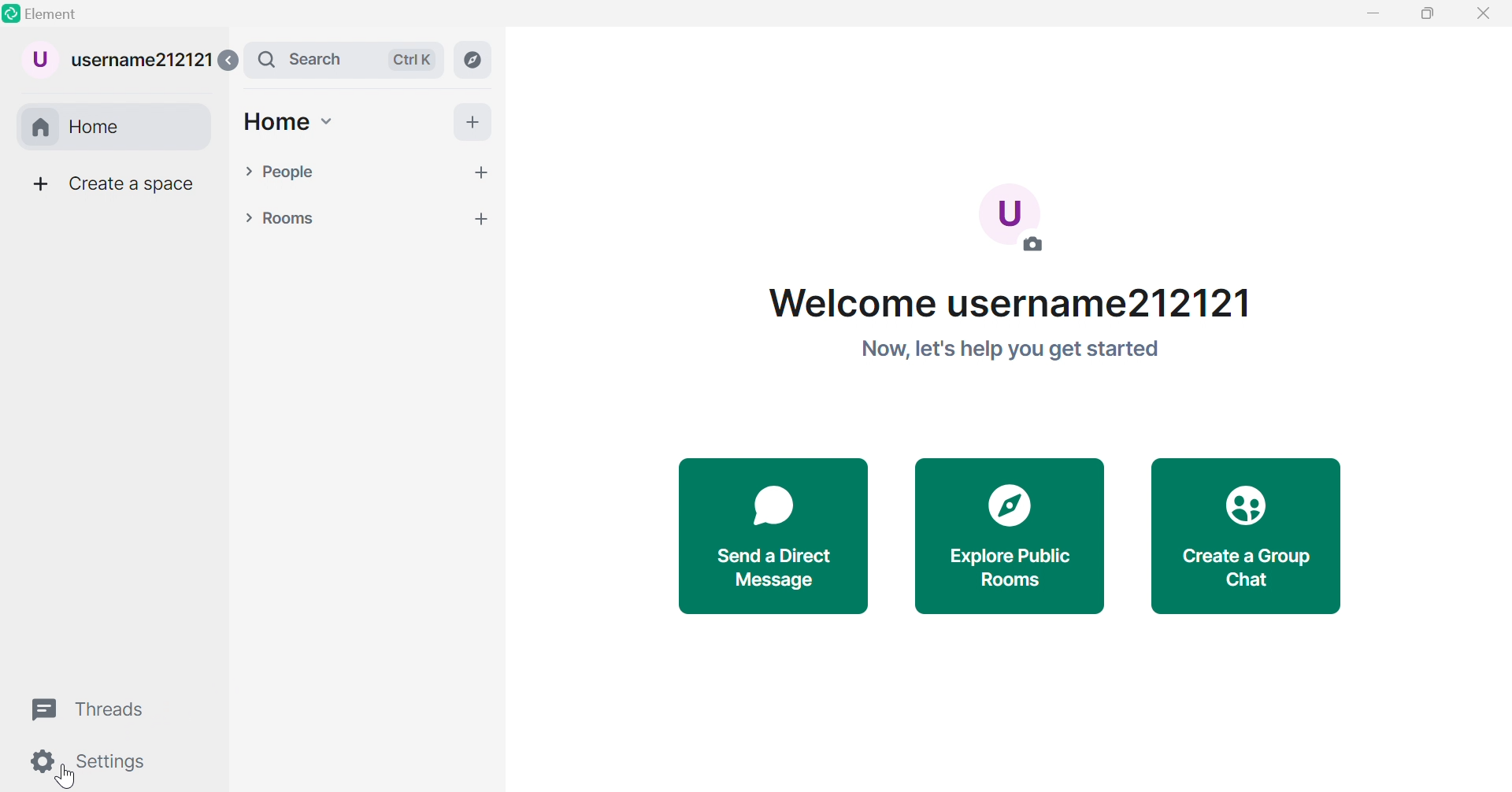 The height and width of the screenshot is (792, 1512). Describe the element at coordinates (288, 124) in the screenshot. I see `Home` at that location.